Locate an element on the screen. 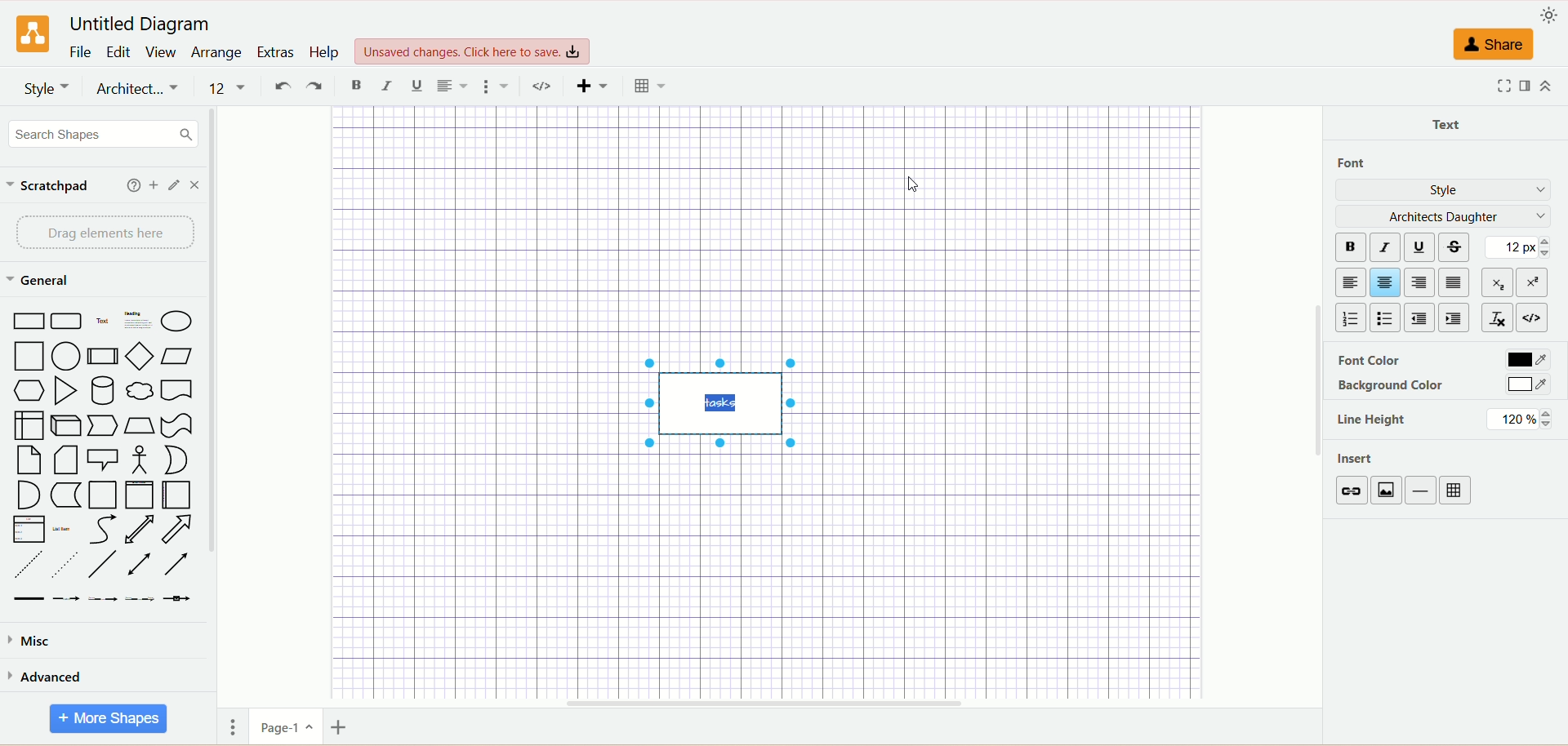  advanced is located at coordinates (47, 680).